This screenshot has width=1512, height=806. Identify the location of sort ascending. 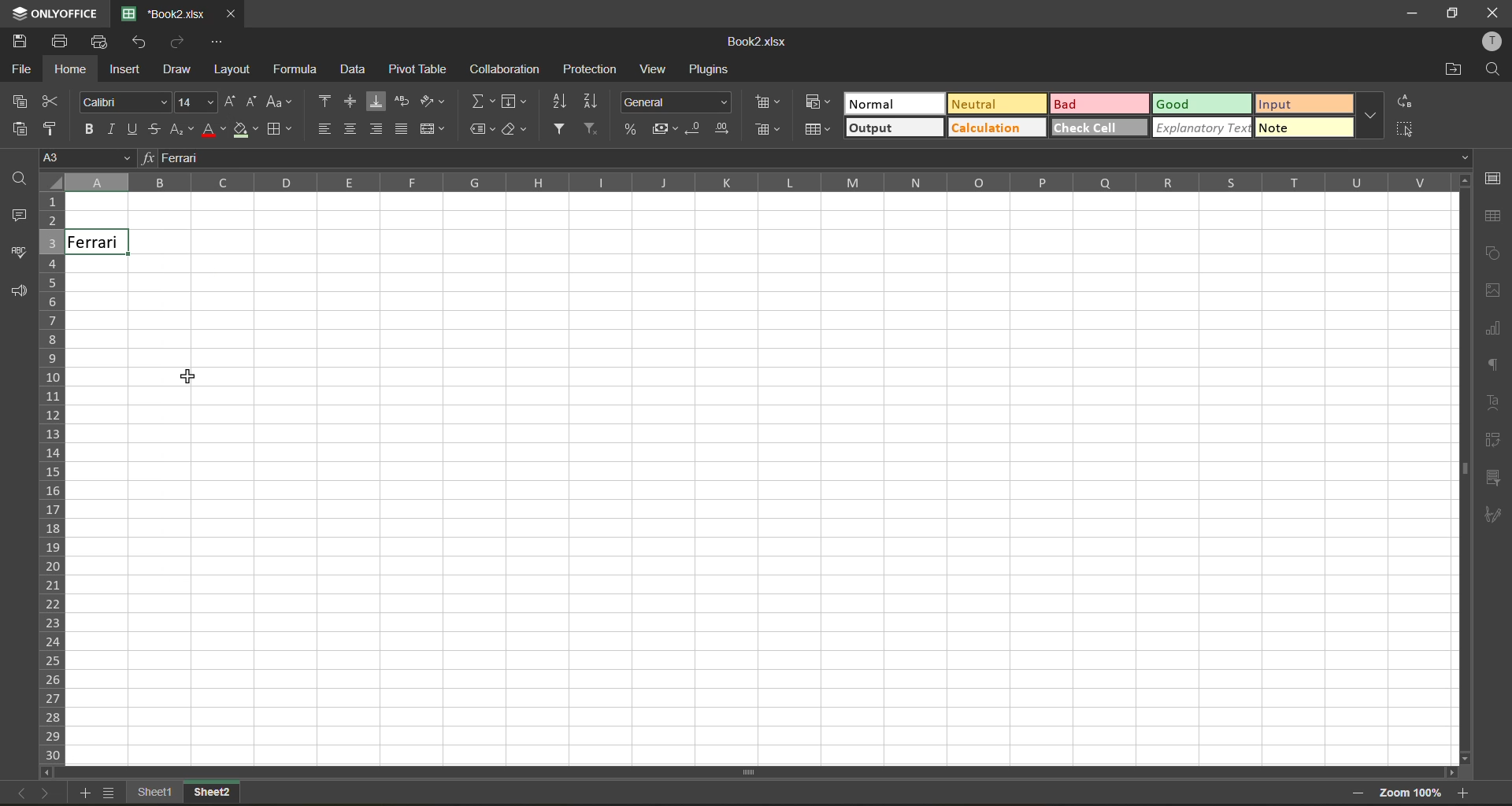
(558, 104).